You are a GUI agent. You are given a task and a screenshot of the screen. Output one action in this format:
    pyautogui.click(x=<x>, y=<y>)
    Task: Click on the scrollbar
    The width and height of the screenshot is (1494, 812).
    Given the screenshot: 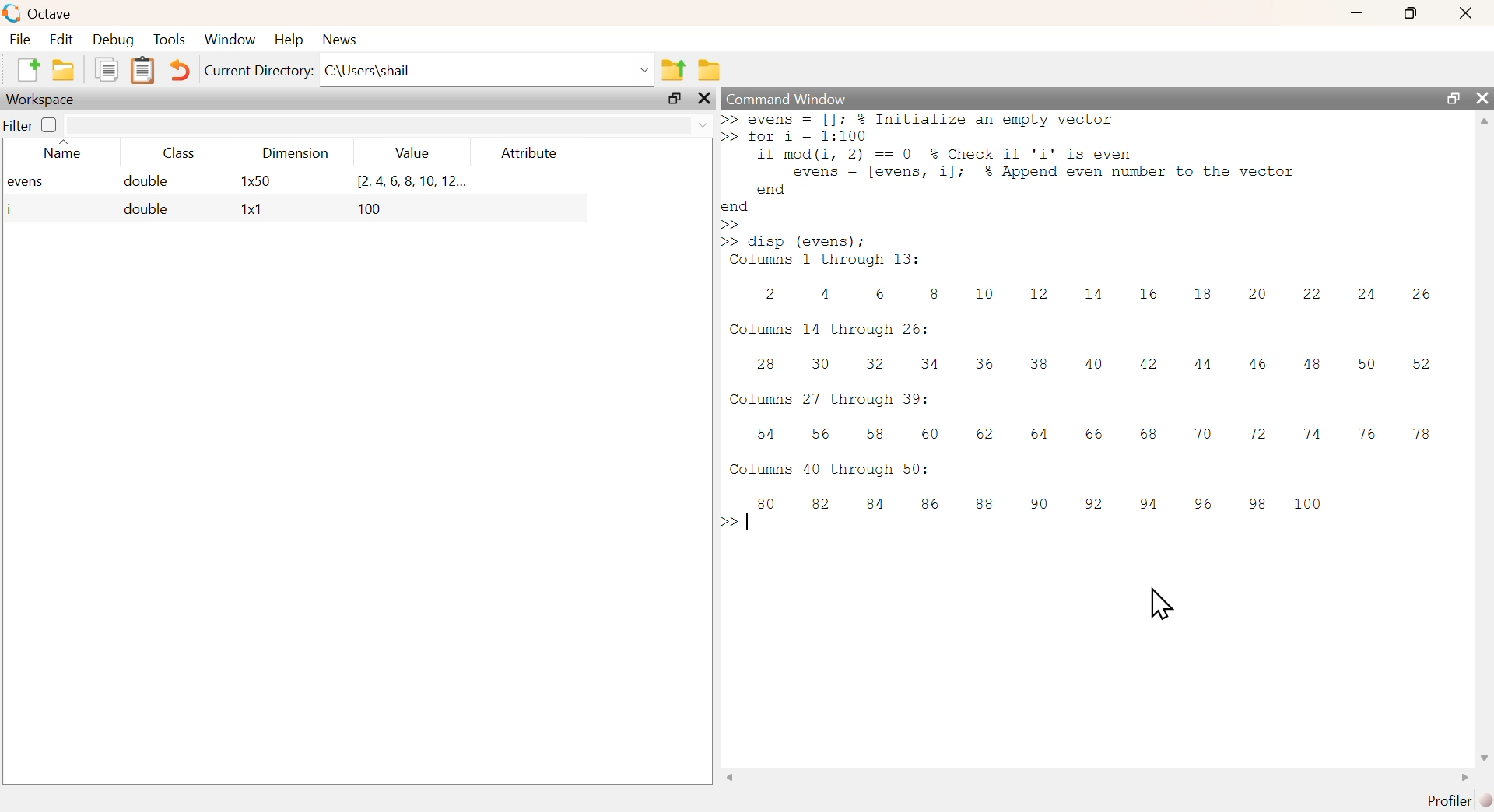 What is the action you would take?
    pyautogui.click(x=1485, y=442)
    